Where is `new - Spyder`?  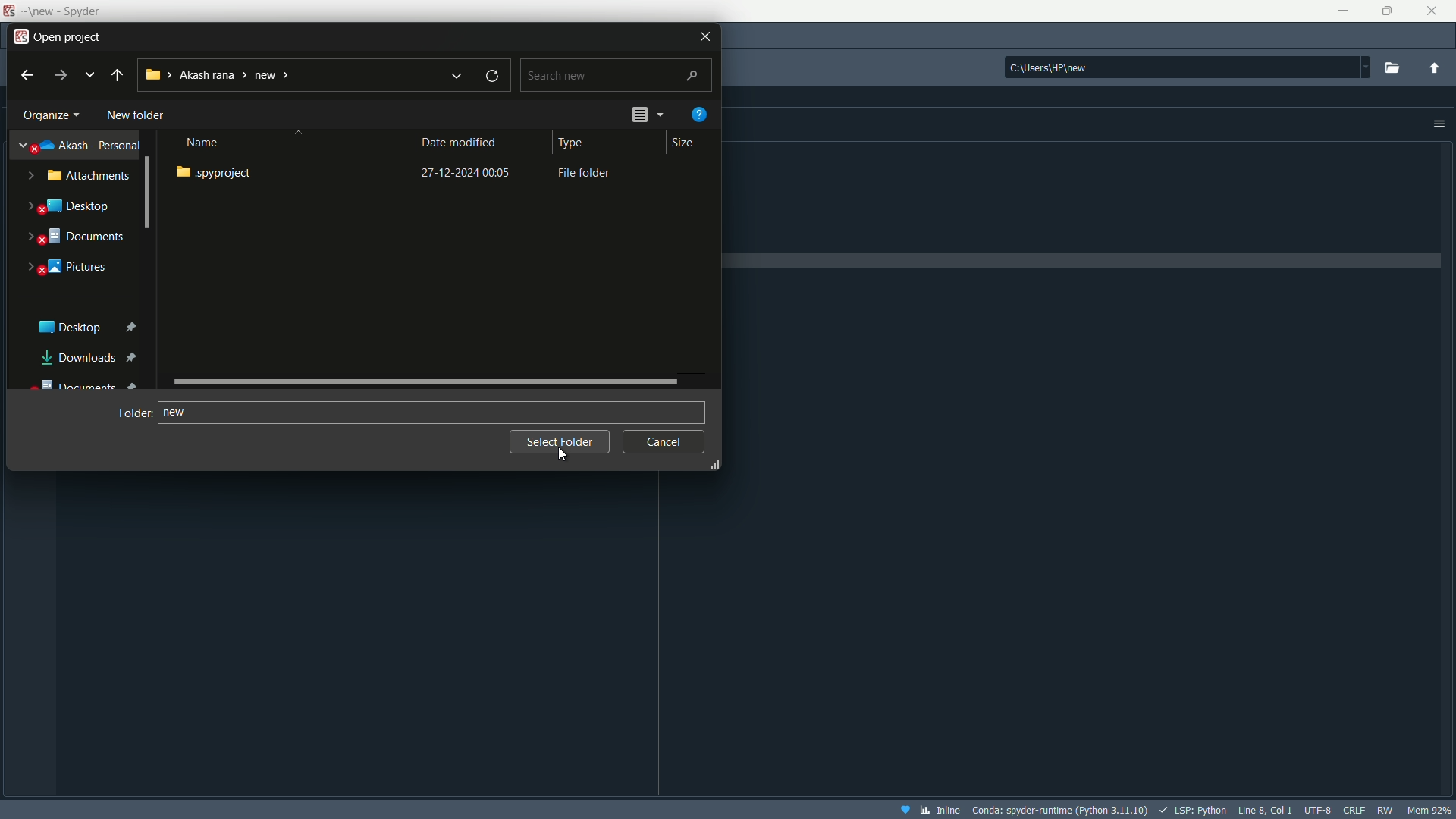 new - Spyder is located at coordinates (59, 12).